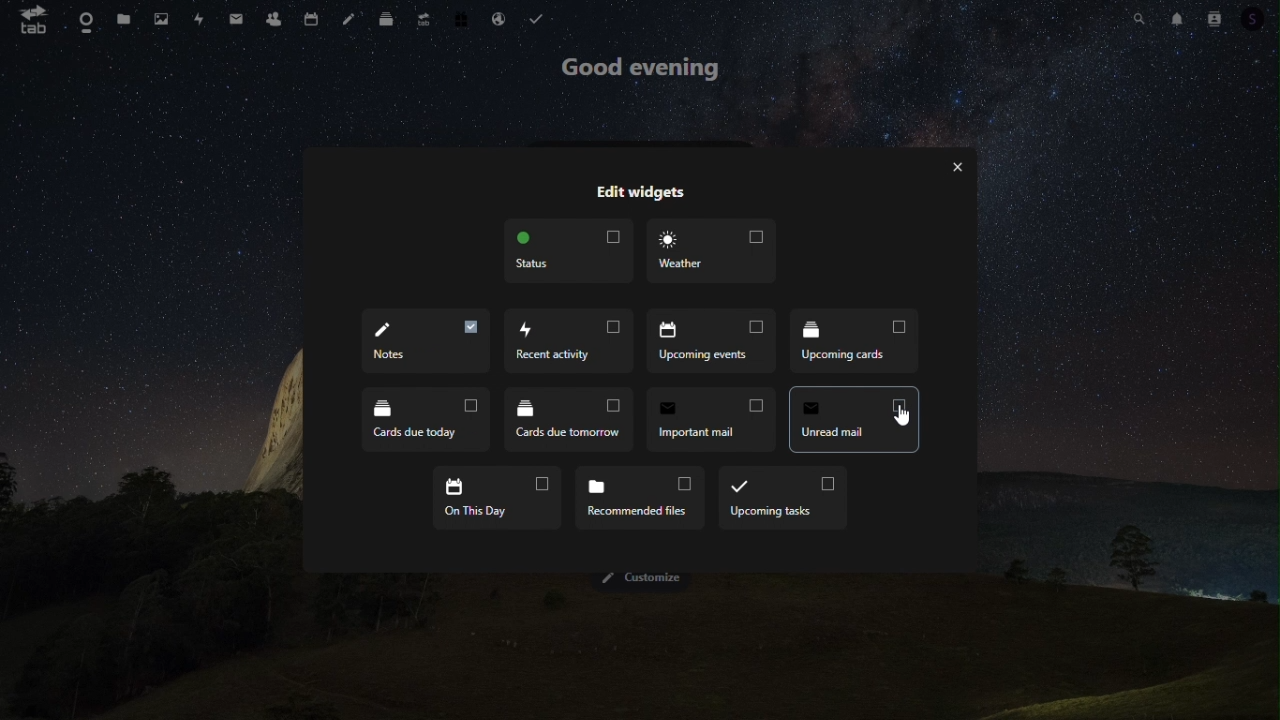 This screenshot has width=1280, height=720. What do you see at coordinates (497, 500) in the screenshot?
I see `on this day` at bounding box center [497, 500].